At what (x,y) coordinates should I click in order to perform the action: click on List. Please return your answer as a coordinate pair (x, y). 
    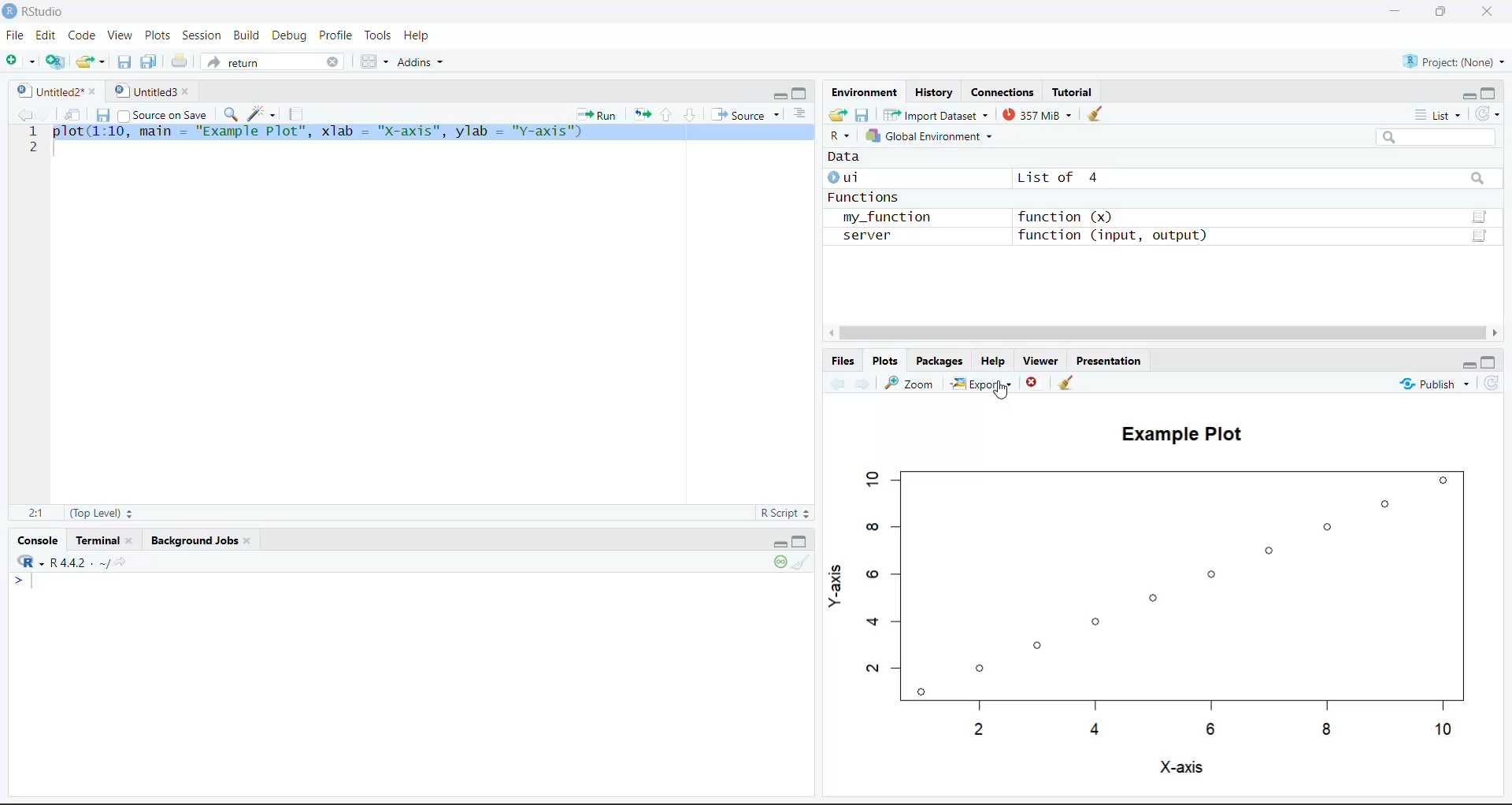
    Looking at the image, I should click on (1439, 114).